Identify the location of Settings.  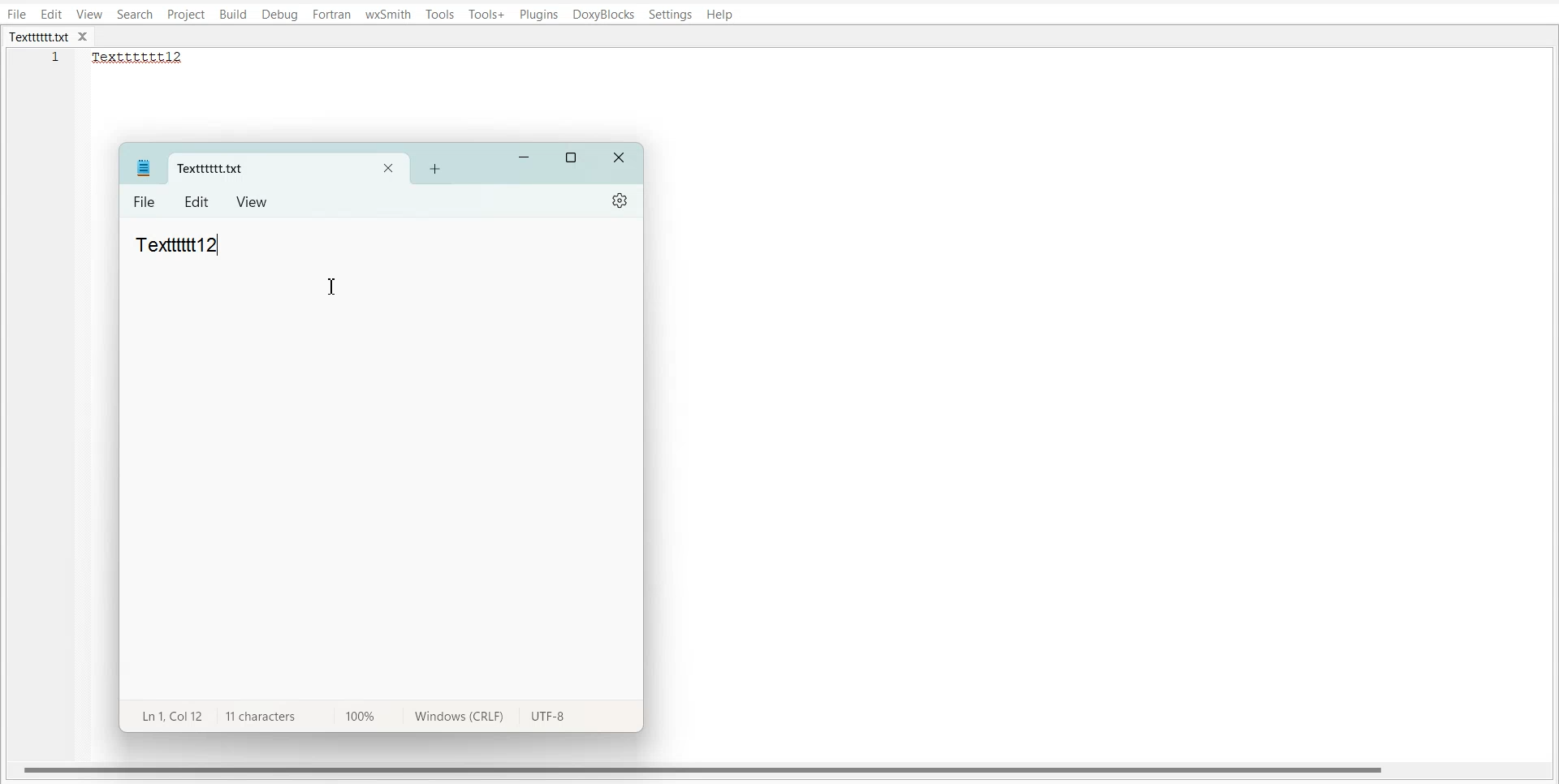
(621, 200).